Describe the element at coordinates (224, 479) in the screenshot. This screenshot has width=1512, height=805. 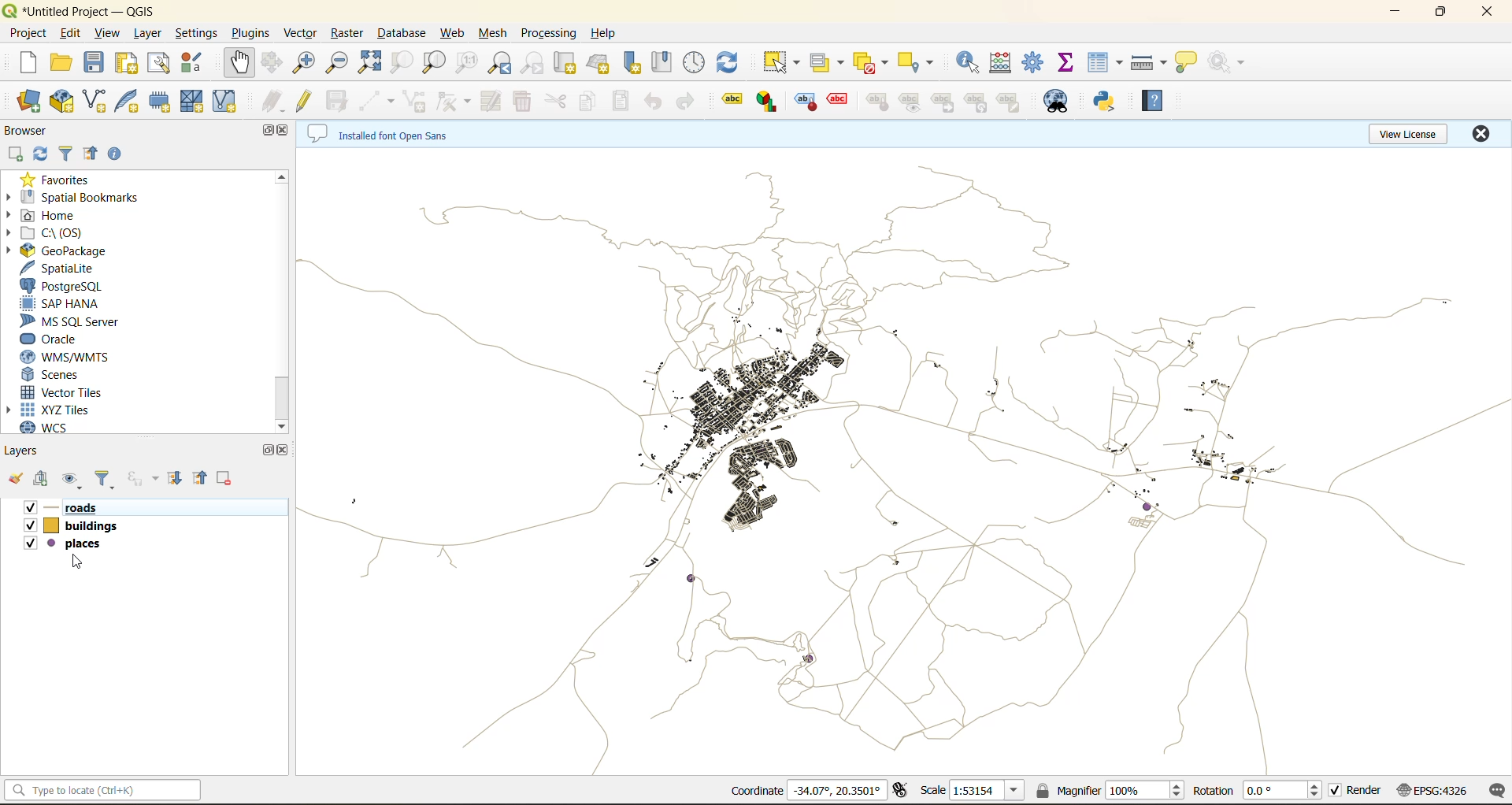
I see `remove` at that location.